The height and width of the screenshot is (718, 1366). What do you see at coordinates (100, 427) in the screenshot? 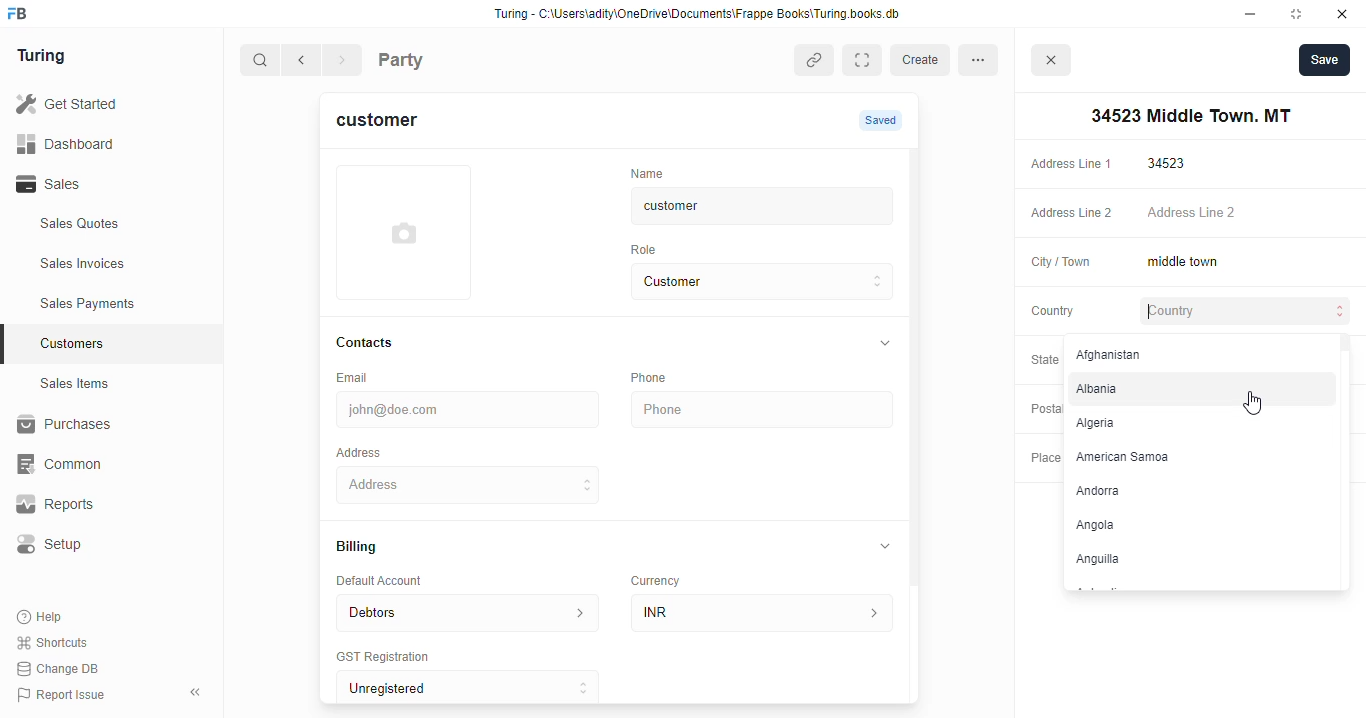
I see `Purchases` at bounding box center [100, 427].